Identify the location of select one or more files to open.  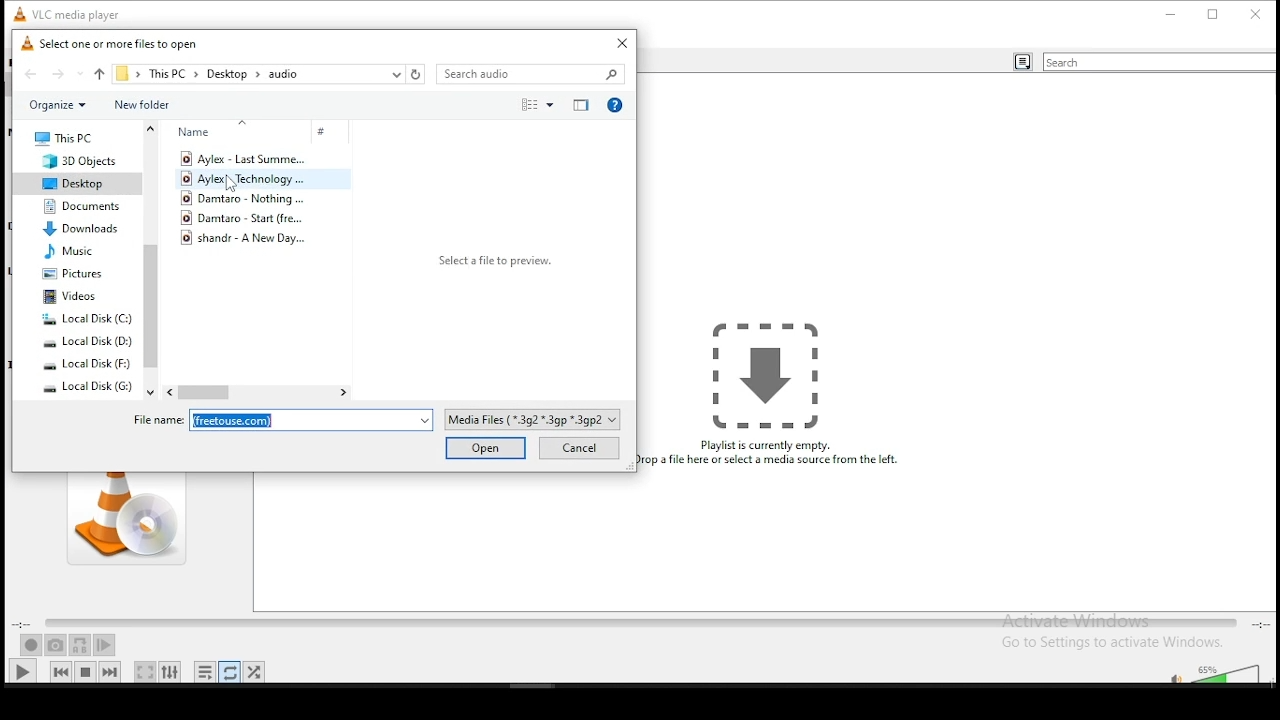
(115, 45).